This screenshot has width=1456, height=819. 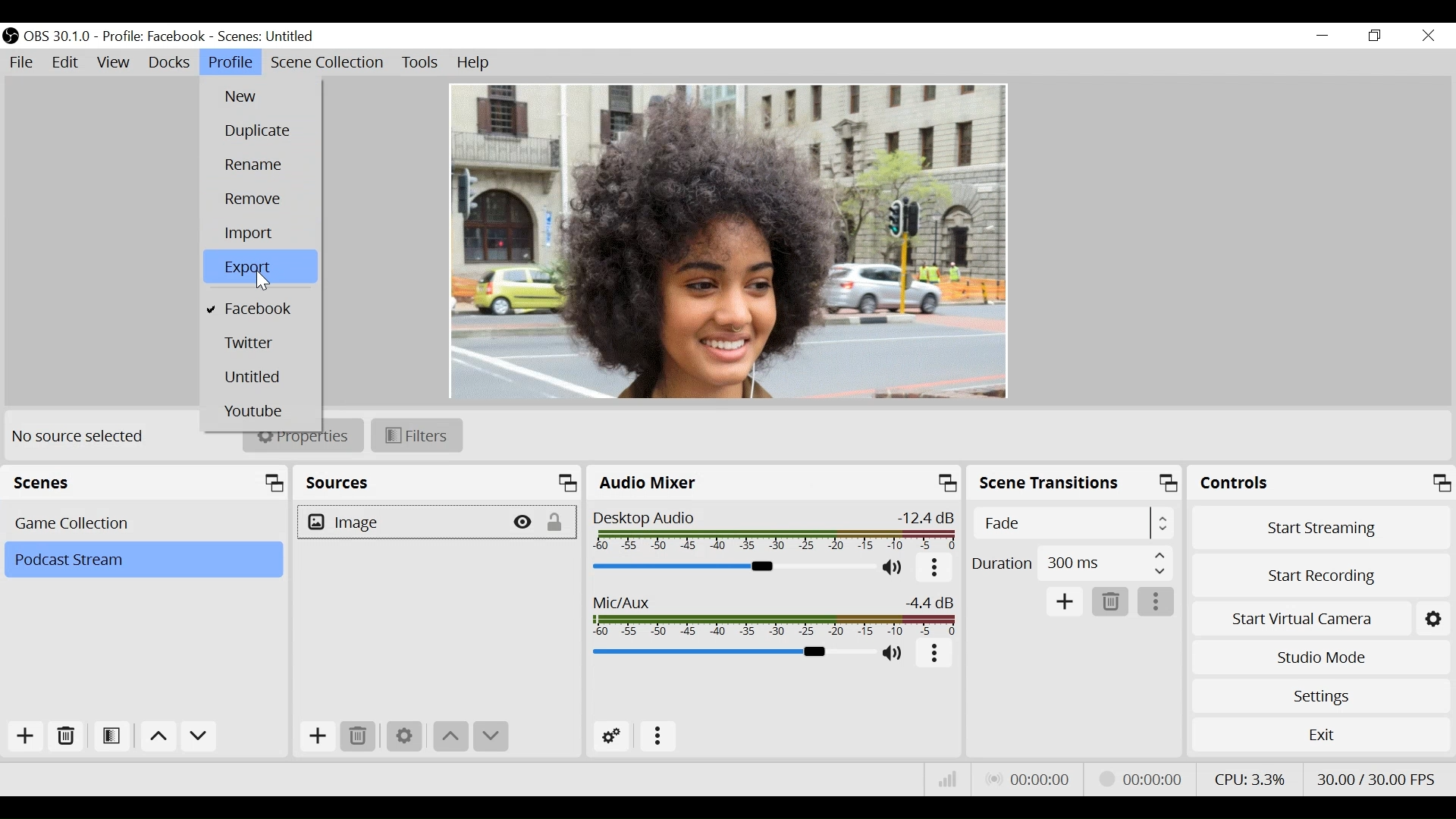 I want to click on File, so click(x=24, y=62).